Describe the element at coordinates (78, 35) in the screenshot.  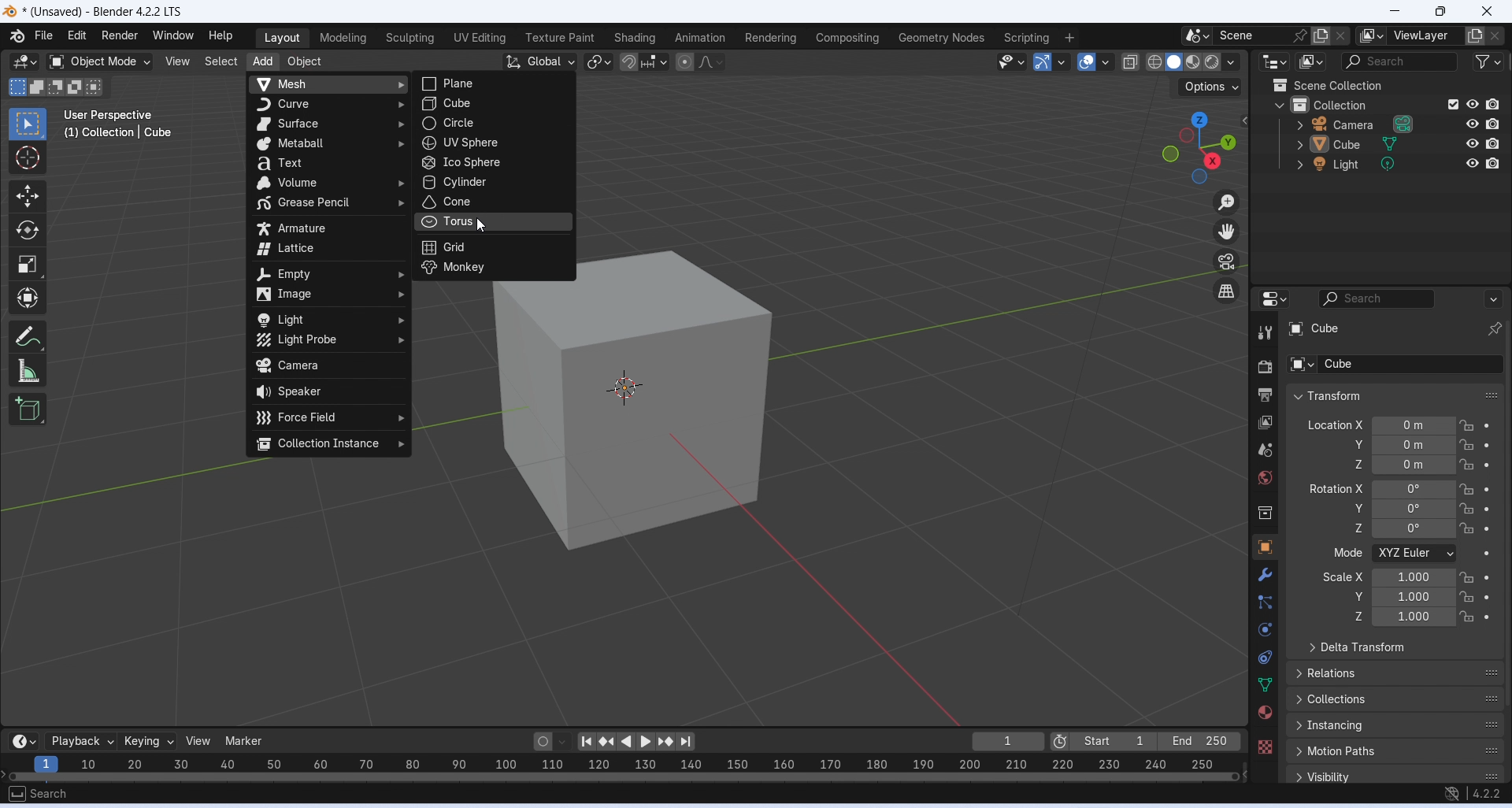
I see `Edit` at that location.